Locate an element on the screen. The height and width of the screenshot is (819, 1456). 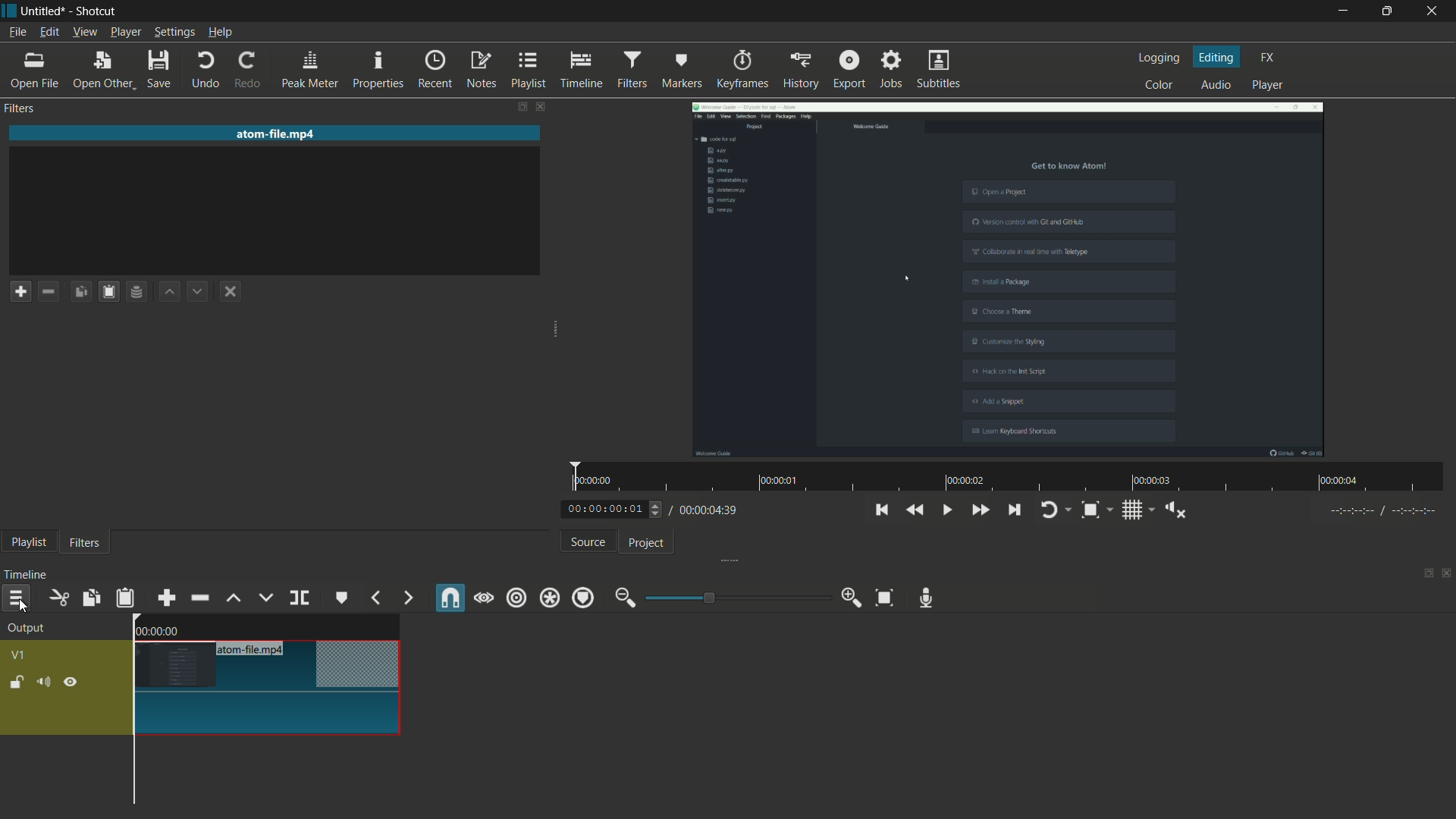
video in timeline is located at coordinates (267, 702).